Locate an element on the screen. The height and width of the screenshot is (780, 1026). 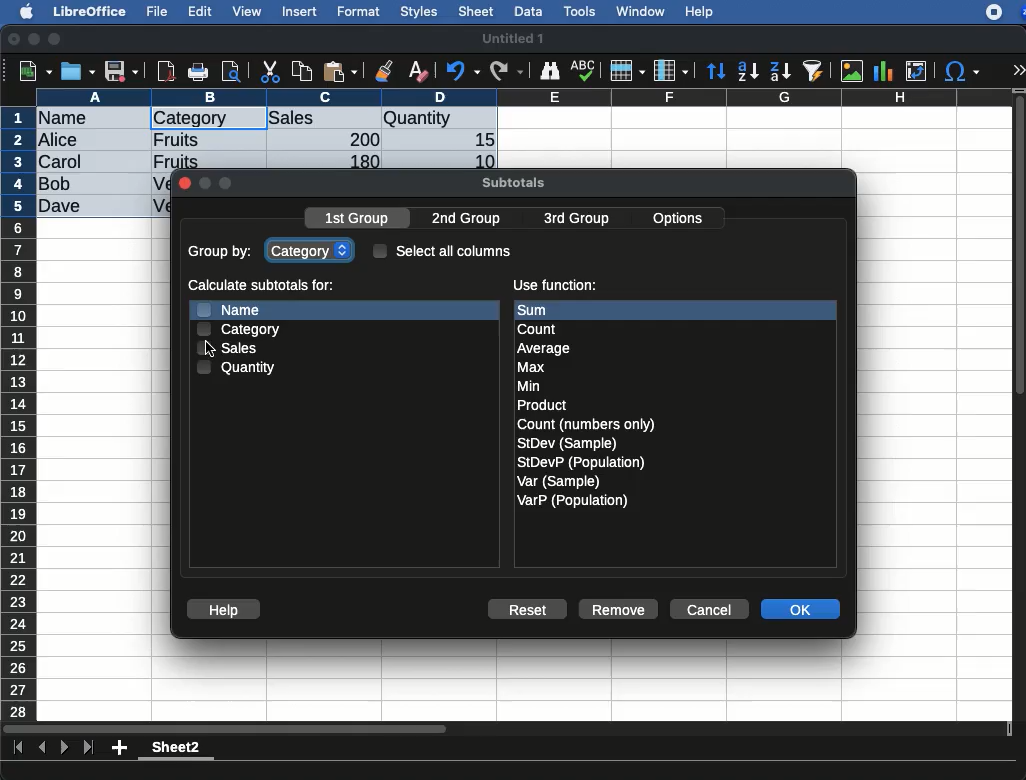
Count is located at coordinates (540, 329).